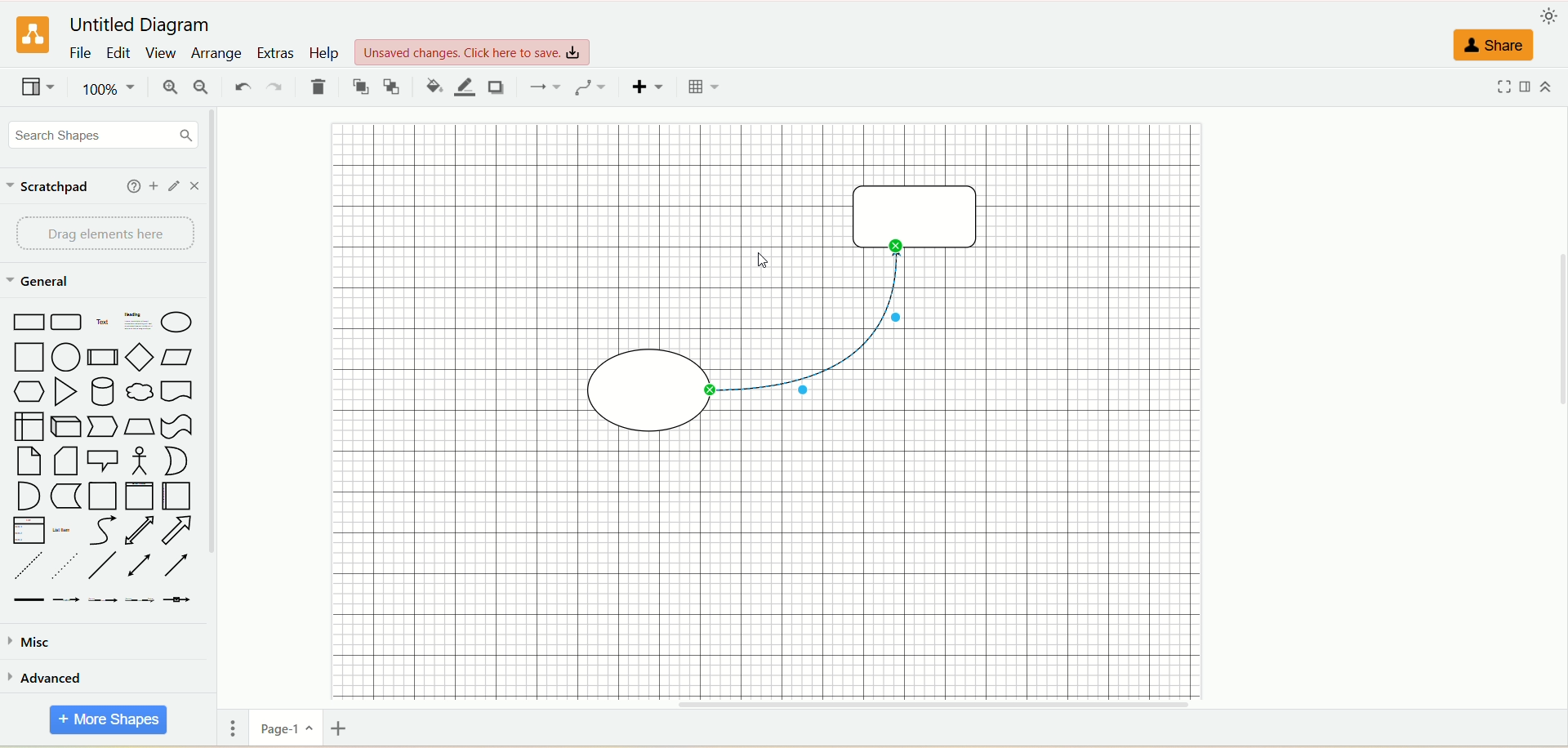 The image size is (1568, 748). Describe the element at coordinates (359, 87) in the screenshot. I see `to front` at that location.